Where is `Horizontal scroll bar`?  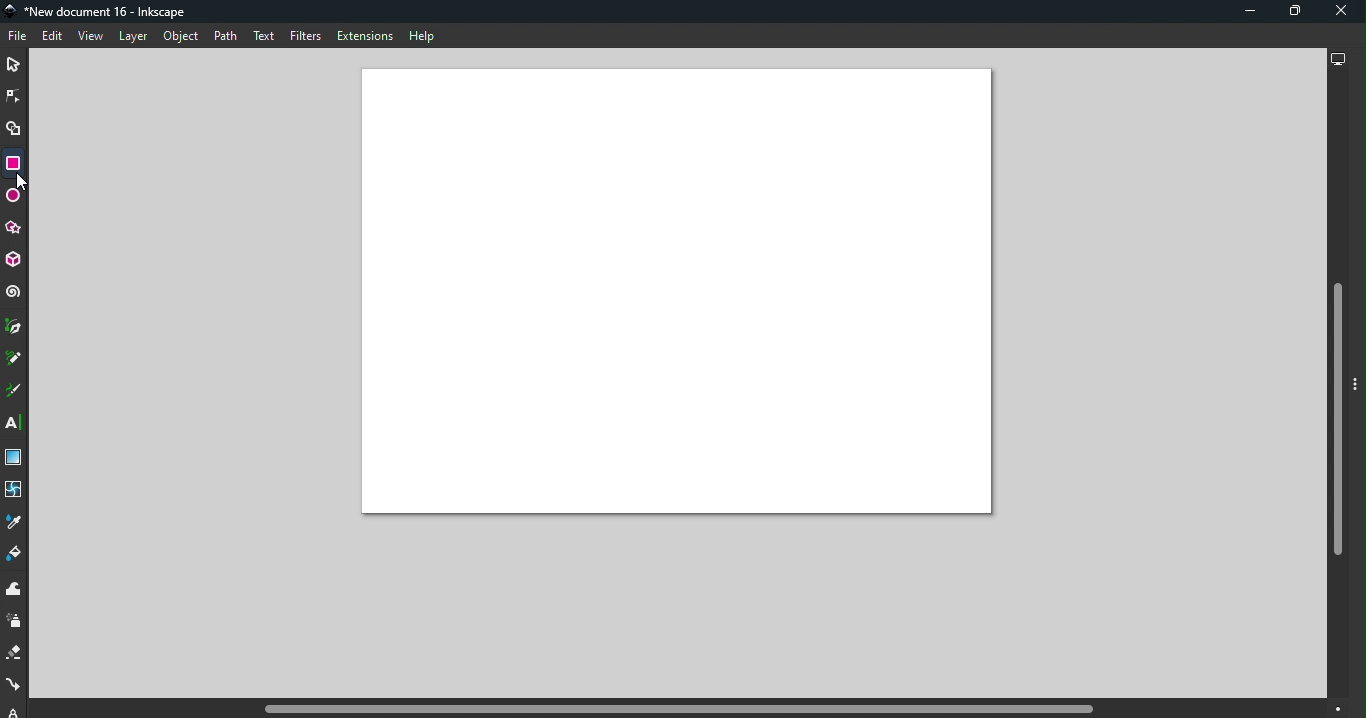
Horizontal scroll bar is located at coordinates (682, 709).